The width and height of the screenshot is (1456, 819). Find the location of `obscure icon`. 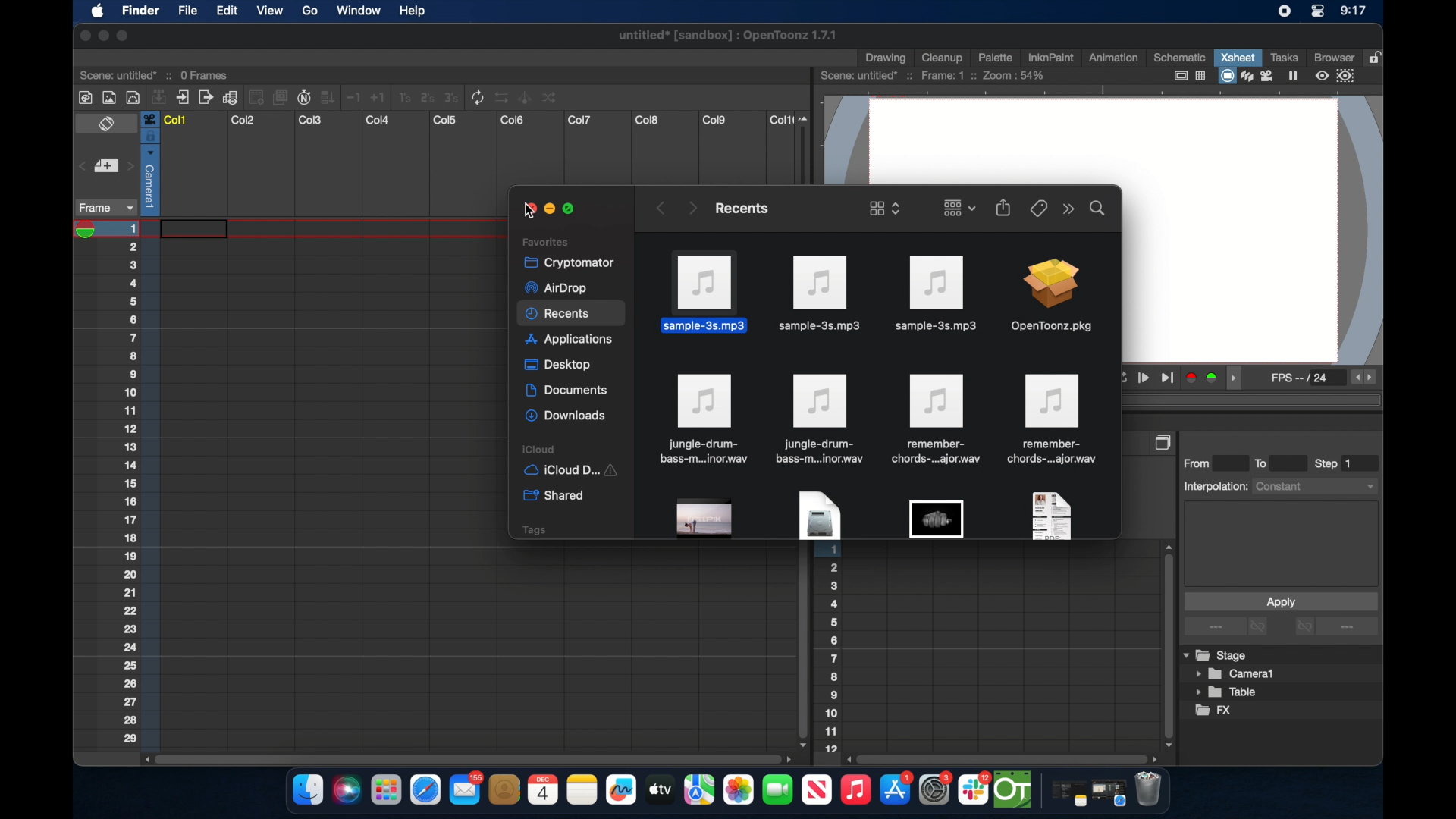

obscure icon is located at coordinates (818, 516).